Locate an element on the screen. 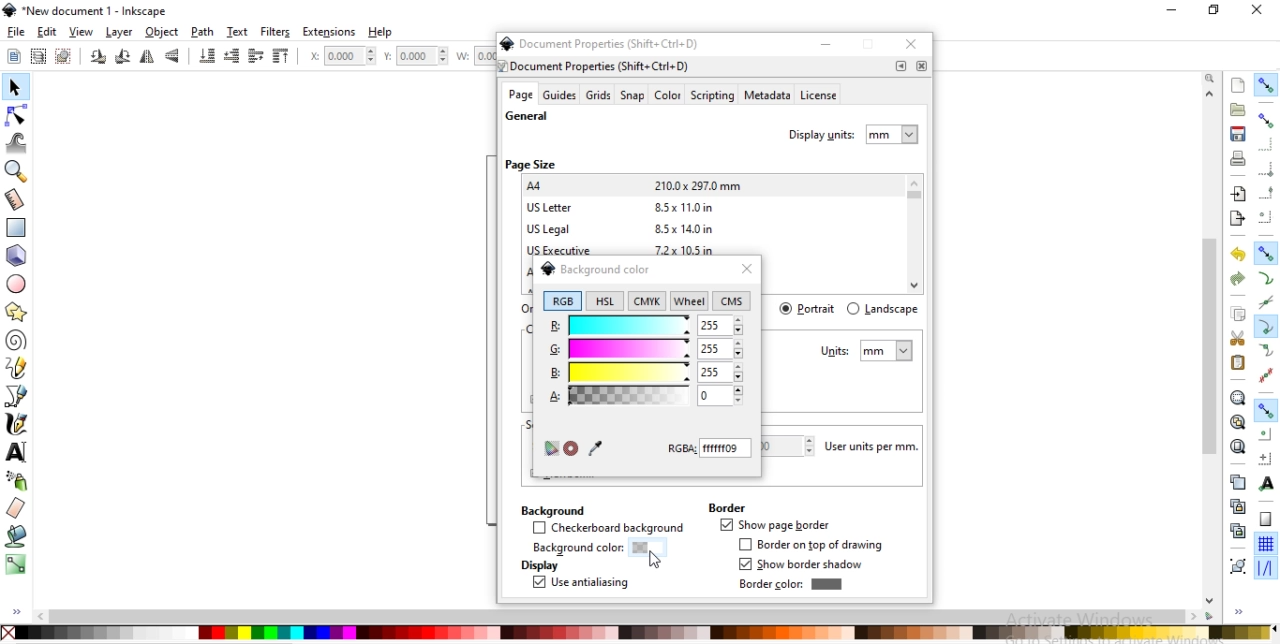 This screenshot has width=1280, height=644. how border shadow is located at coordinates (804, 565).